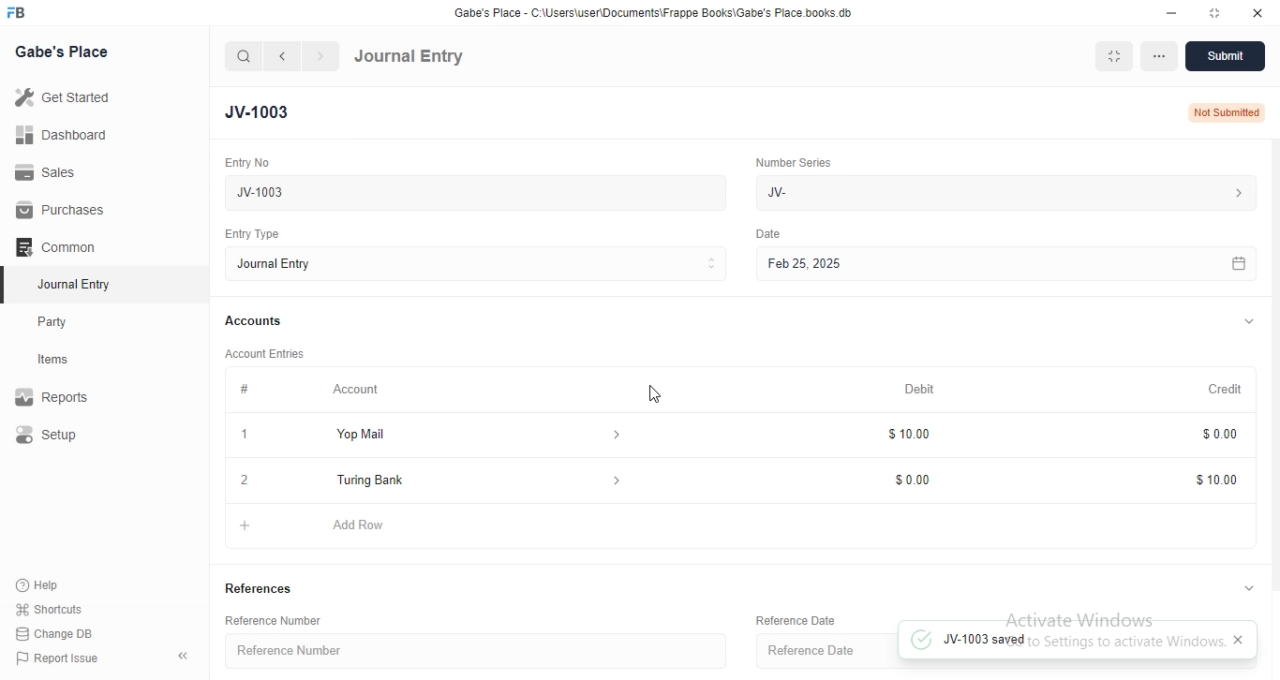  What do you see at coordinates (67, 397) in the screenshot?
I see `Report` at bounding box center [67, 397].